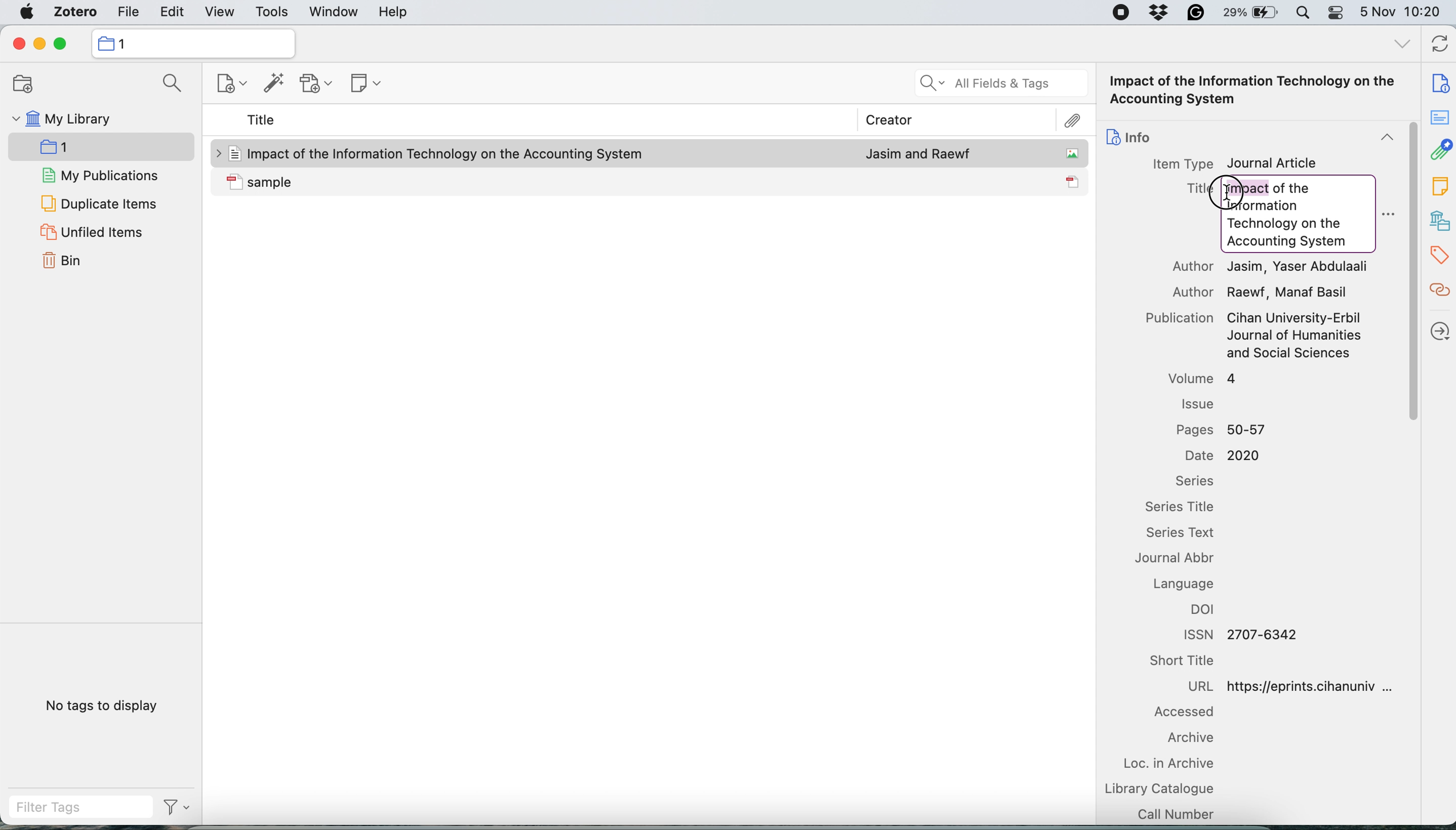  What do you see at coordinates (1439, 150) in the screenshot?
I see `attachment` at bounding box center [1439, 150].